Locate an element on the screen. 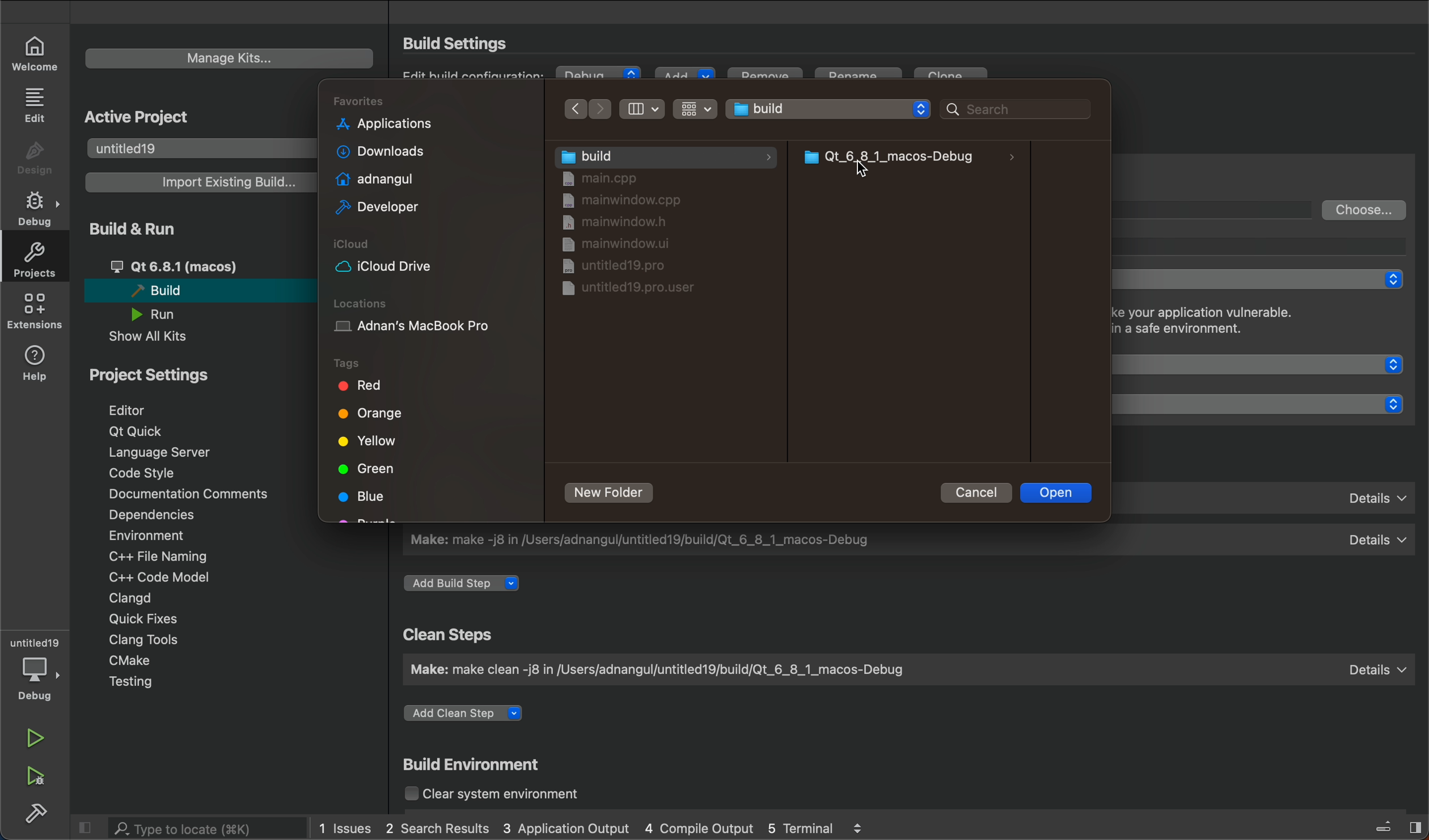 This screenshot has height=840, width=1429. build directory  is located at coordinates (1219, 209).